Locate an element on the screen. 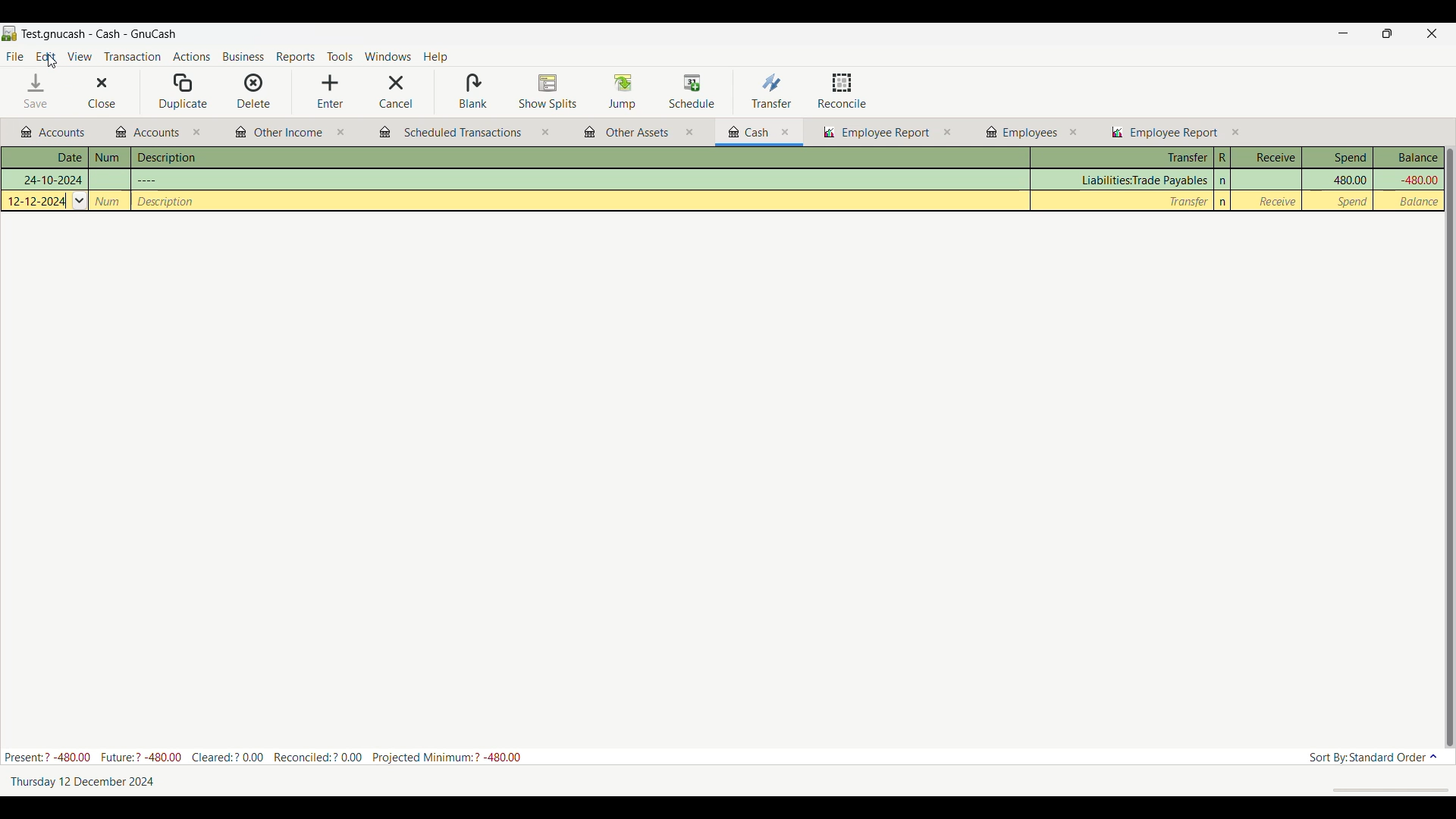 This screenshot has height=819, width=1456. Save is located at coordinates (36, 90).